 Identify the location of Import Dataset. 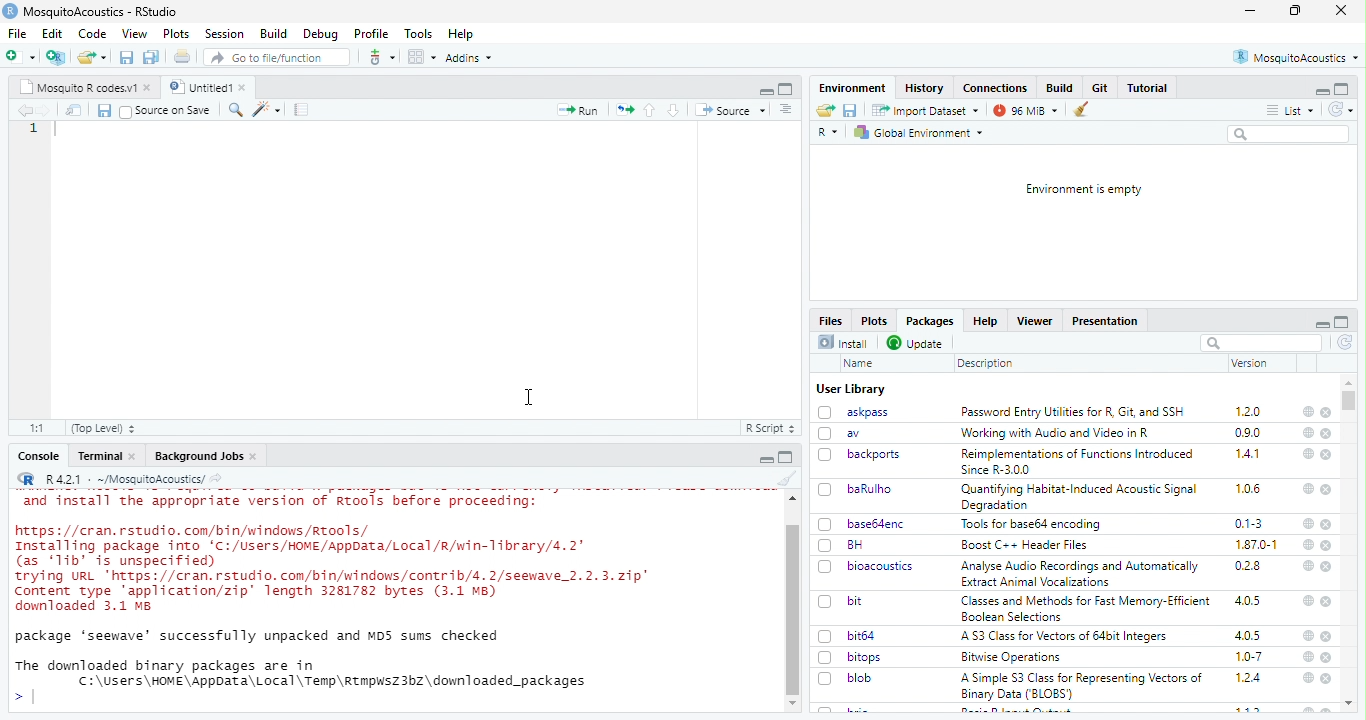
(927, 111).